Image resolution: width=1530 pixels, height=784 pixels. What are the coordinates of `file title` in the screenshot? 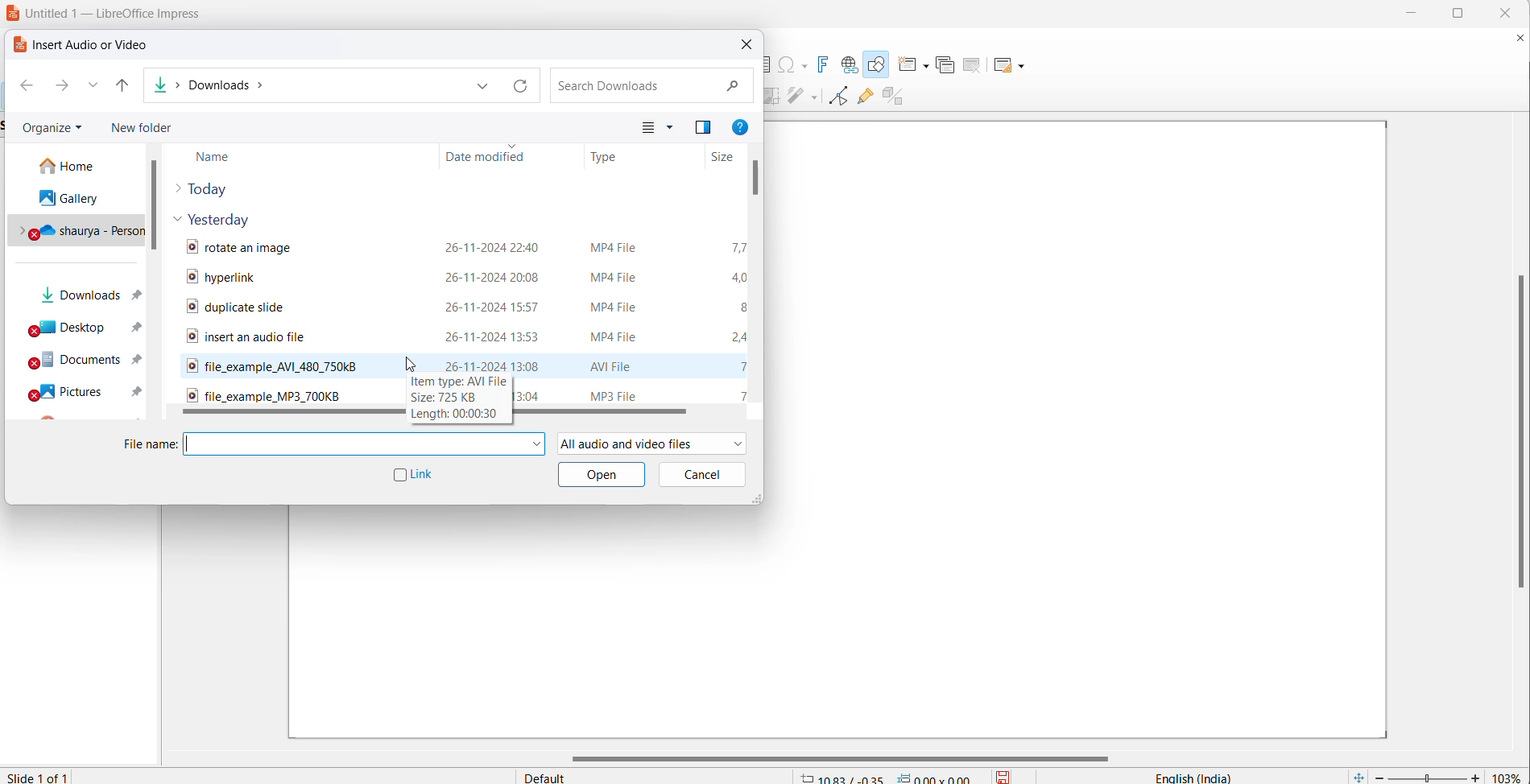 It's located at (118, 14).